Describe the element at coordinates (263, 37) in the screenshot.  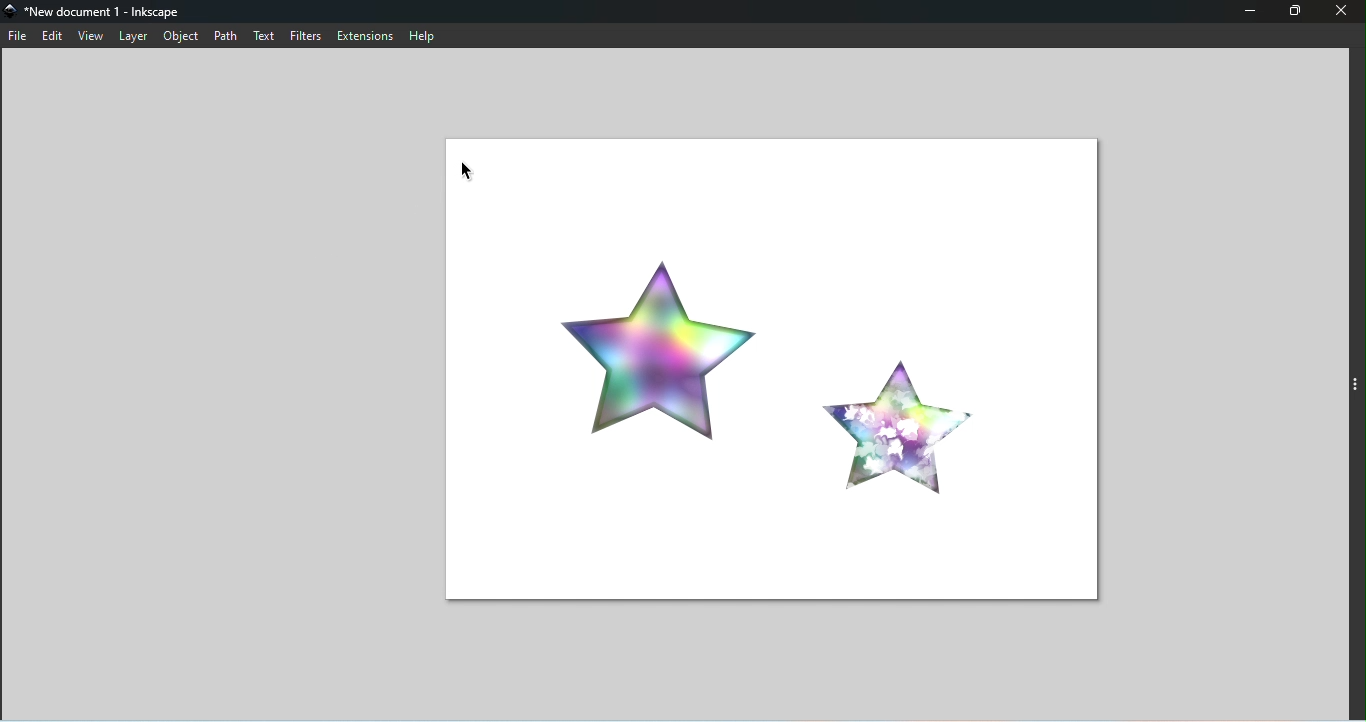
I see `Text` at that location.